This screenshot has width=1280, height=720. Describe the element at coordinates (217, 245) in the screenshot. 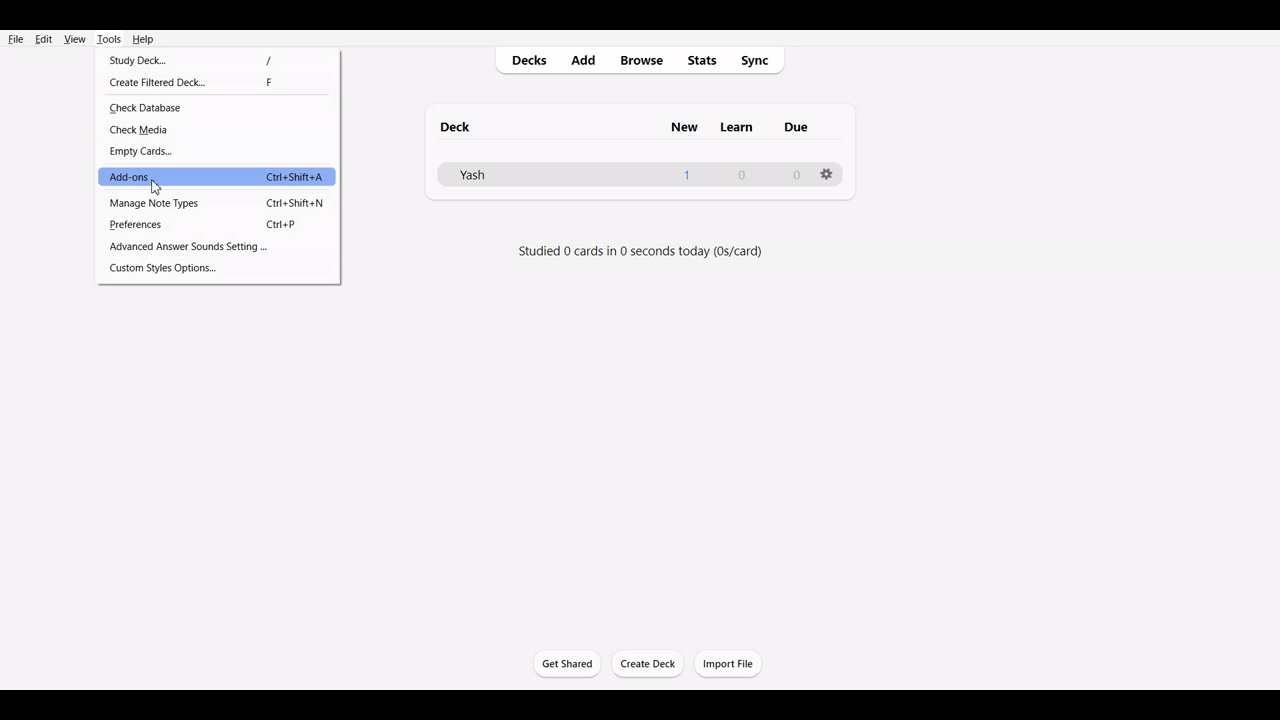

I see `Advance Answer Sound Settings` at that location.